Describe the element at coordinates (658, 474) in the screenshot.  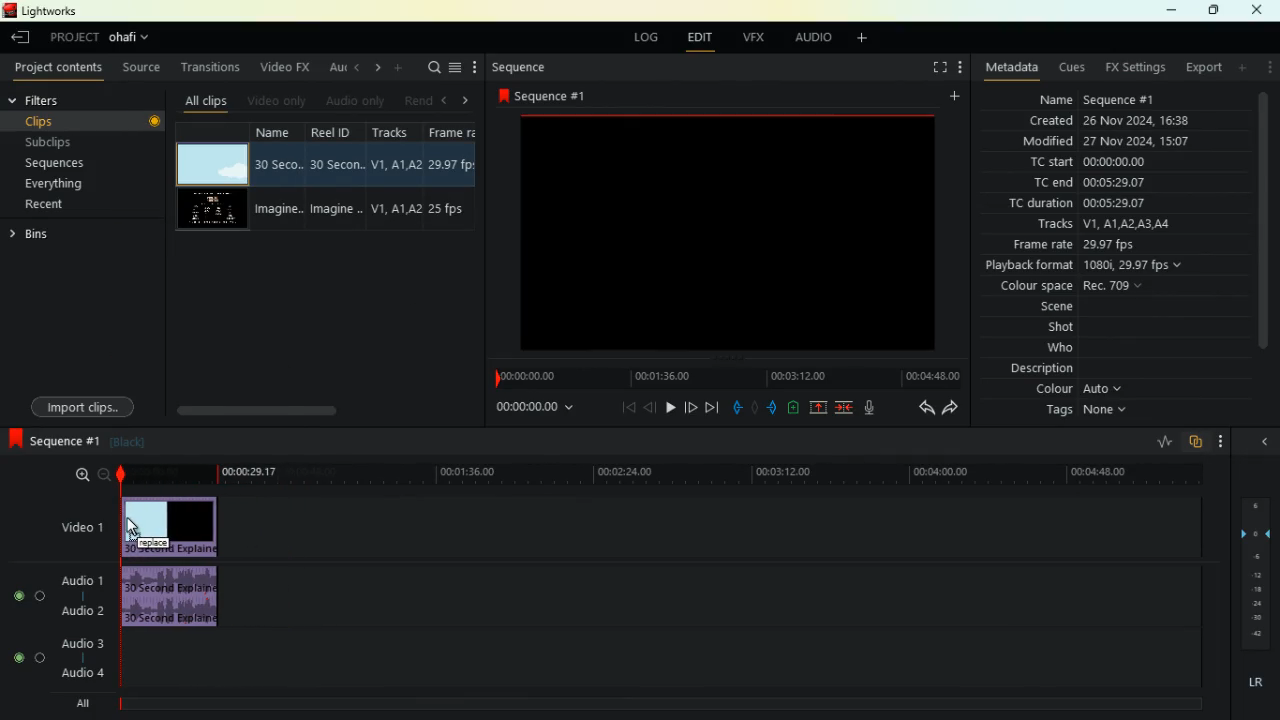
I see `timeline` at that location.